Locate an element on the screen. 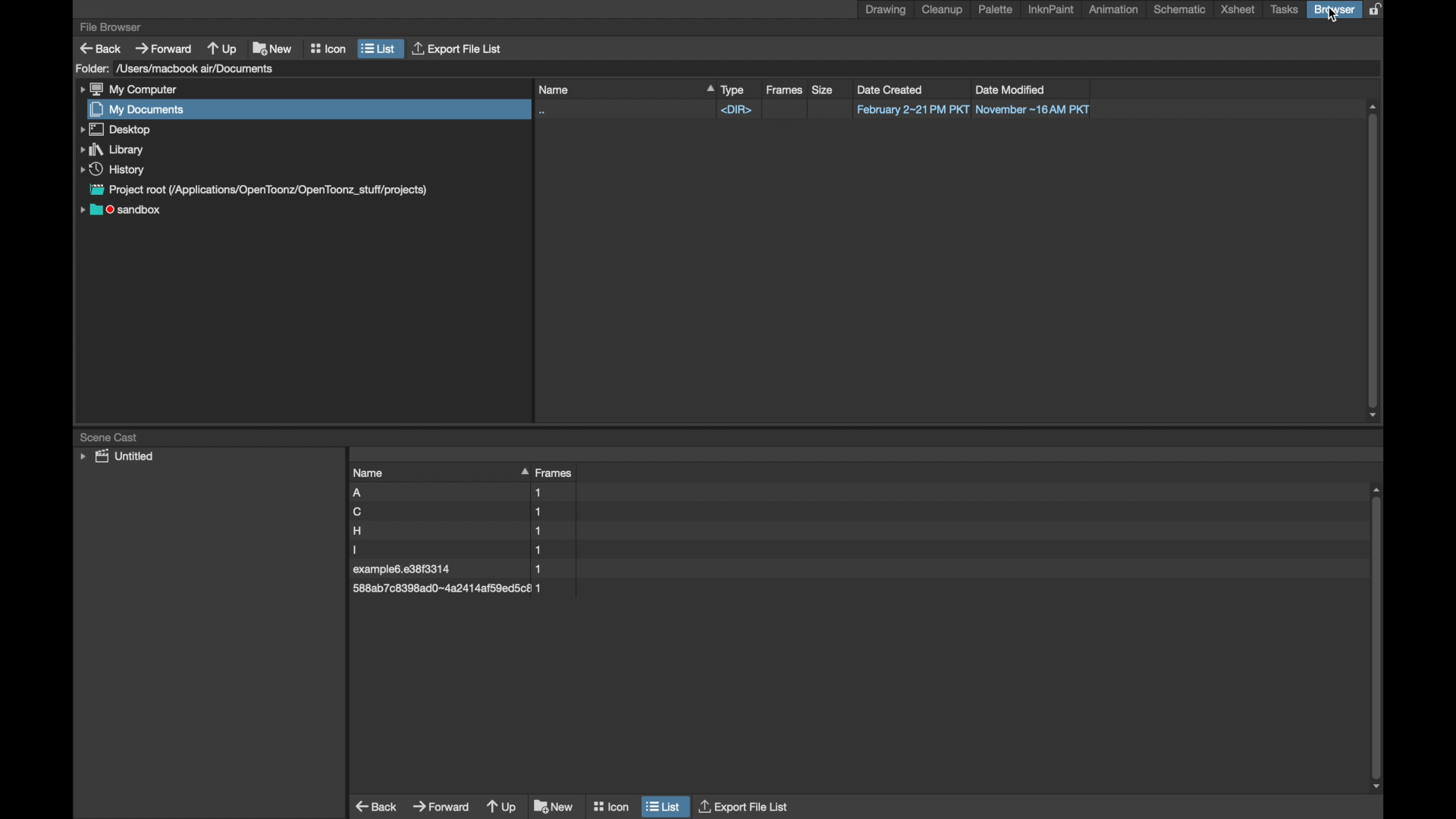 Image resolution: width=1456 pixels, height=819 pixels. xsheet is located at coordinates (1238, 10).